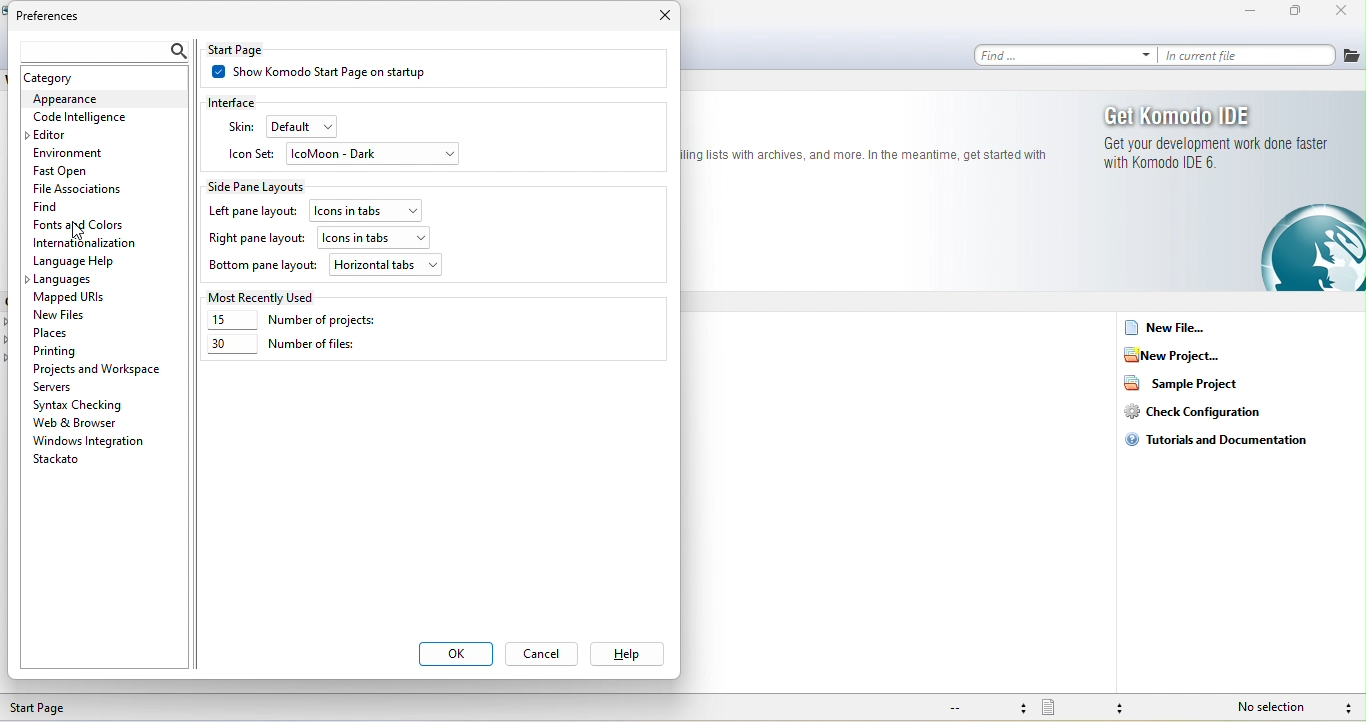 The width and height of the screenshot is (1366, 722). Describe the element at coordinates (458, 653) in the screenshot. I see `ok` at that location.